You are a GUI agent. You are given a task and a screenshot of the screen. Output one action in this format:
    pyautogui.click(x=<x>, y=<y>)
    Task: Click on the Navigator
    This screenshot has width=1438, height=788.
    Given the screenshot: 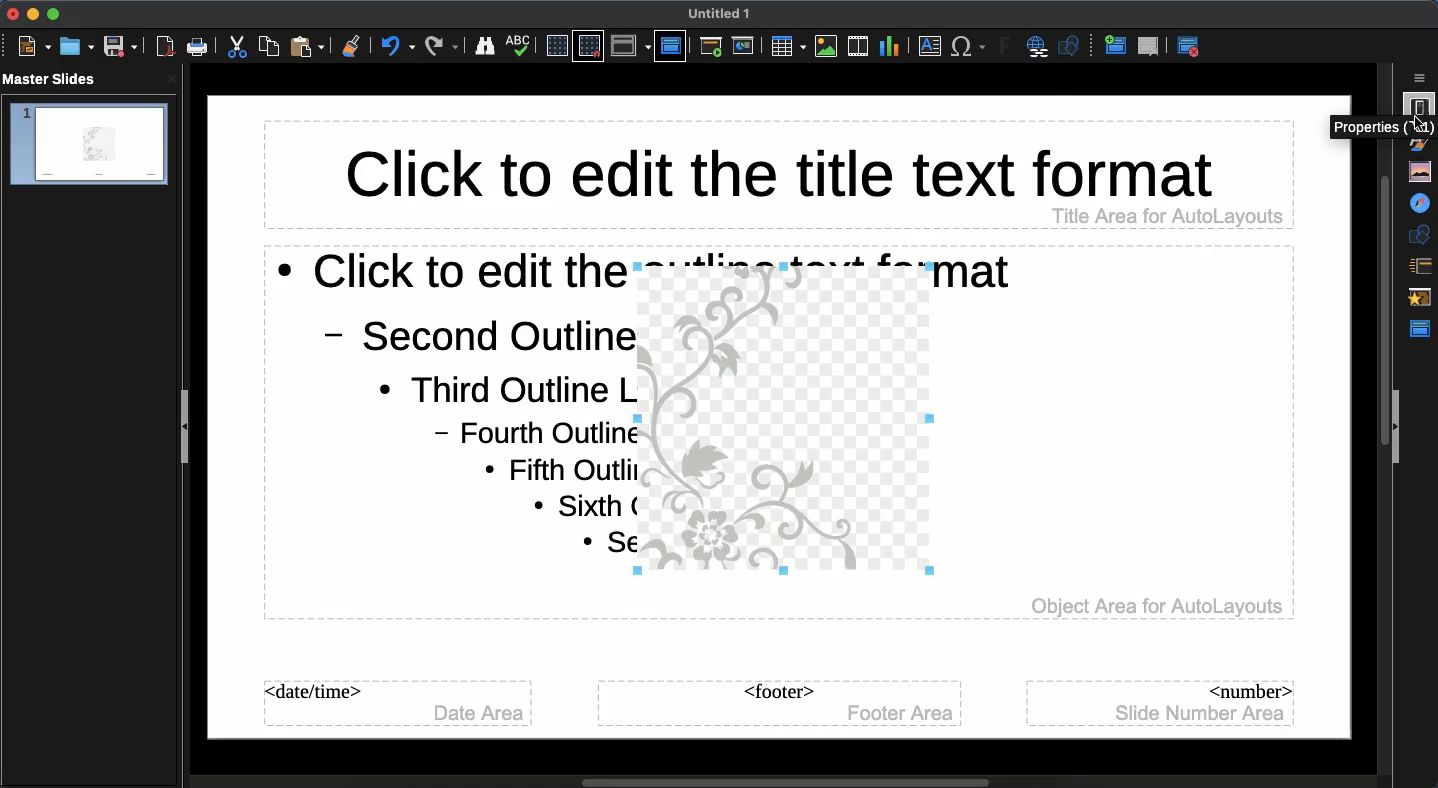 What is the action you would take?
    pyautogui.click(x=1422, y=204)
    